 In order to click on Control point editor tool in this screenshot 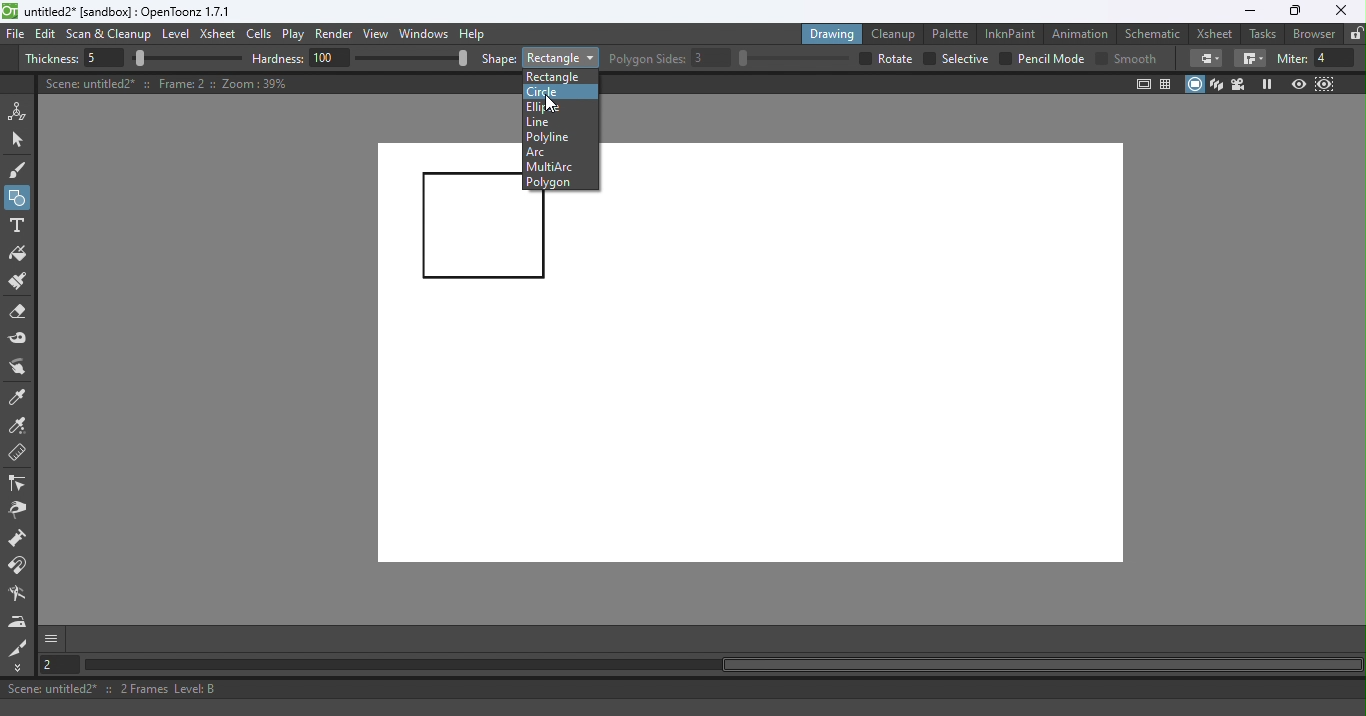, I will do `click(18, 485)`.